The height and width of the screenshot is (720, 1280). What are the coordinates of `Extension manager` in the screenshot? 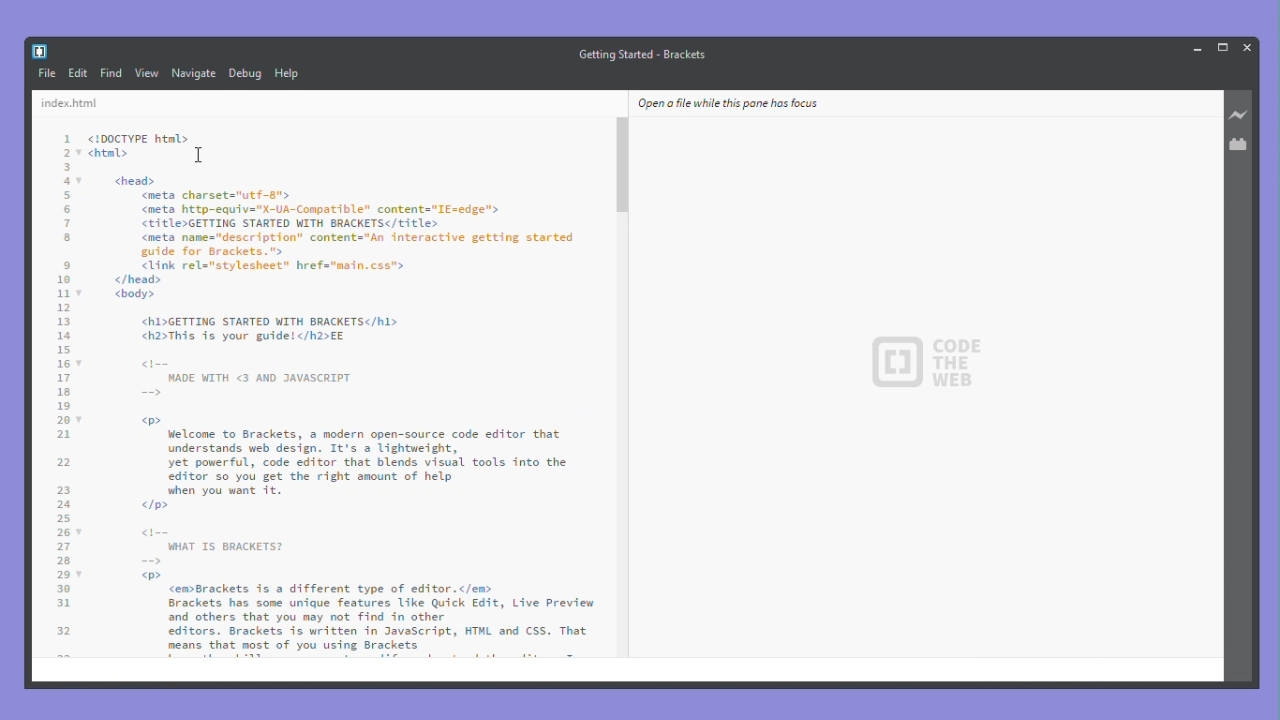 It's located at (1241, 144).